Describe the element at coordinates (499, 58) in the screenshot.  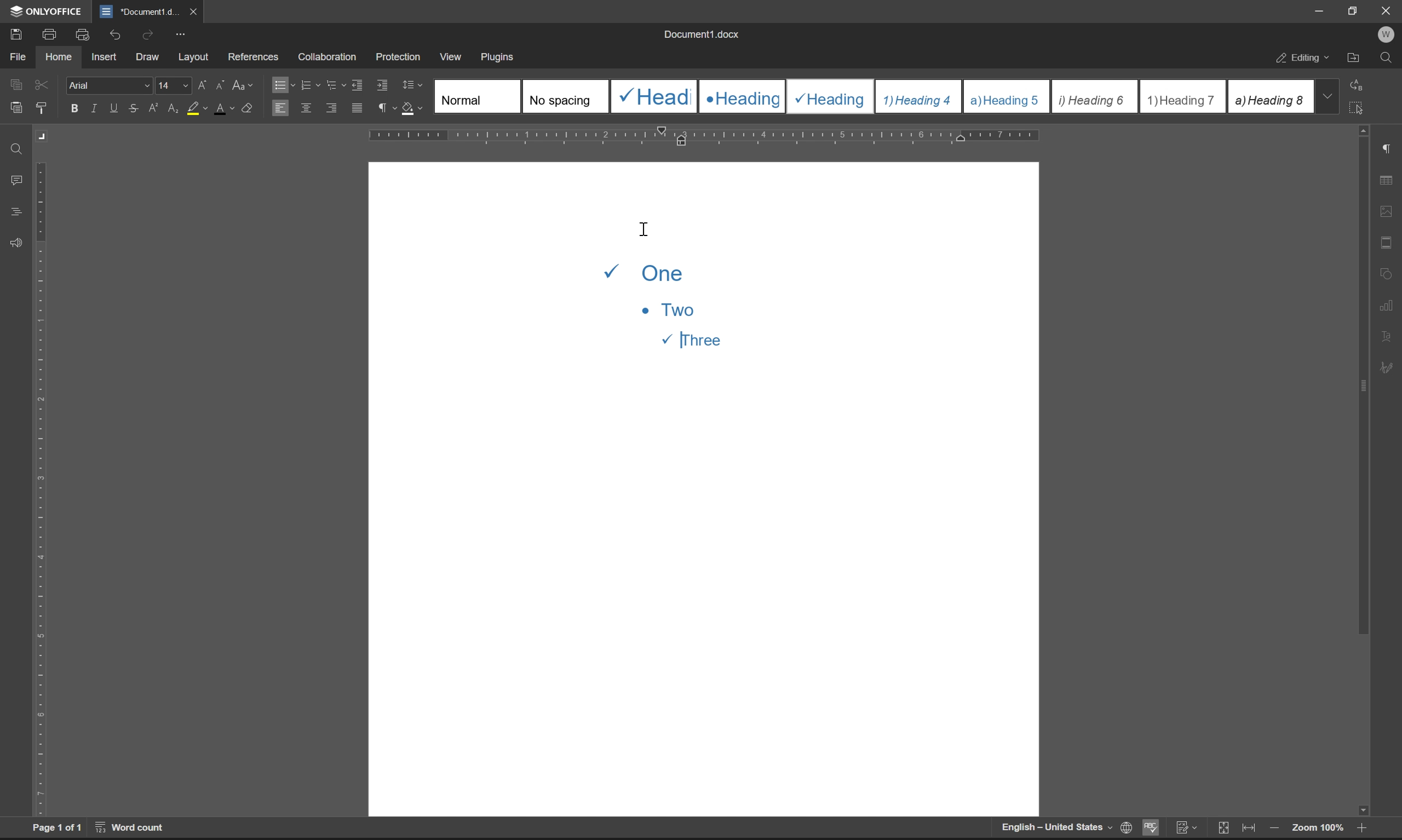
I see `plugins` at that location.